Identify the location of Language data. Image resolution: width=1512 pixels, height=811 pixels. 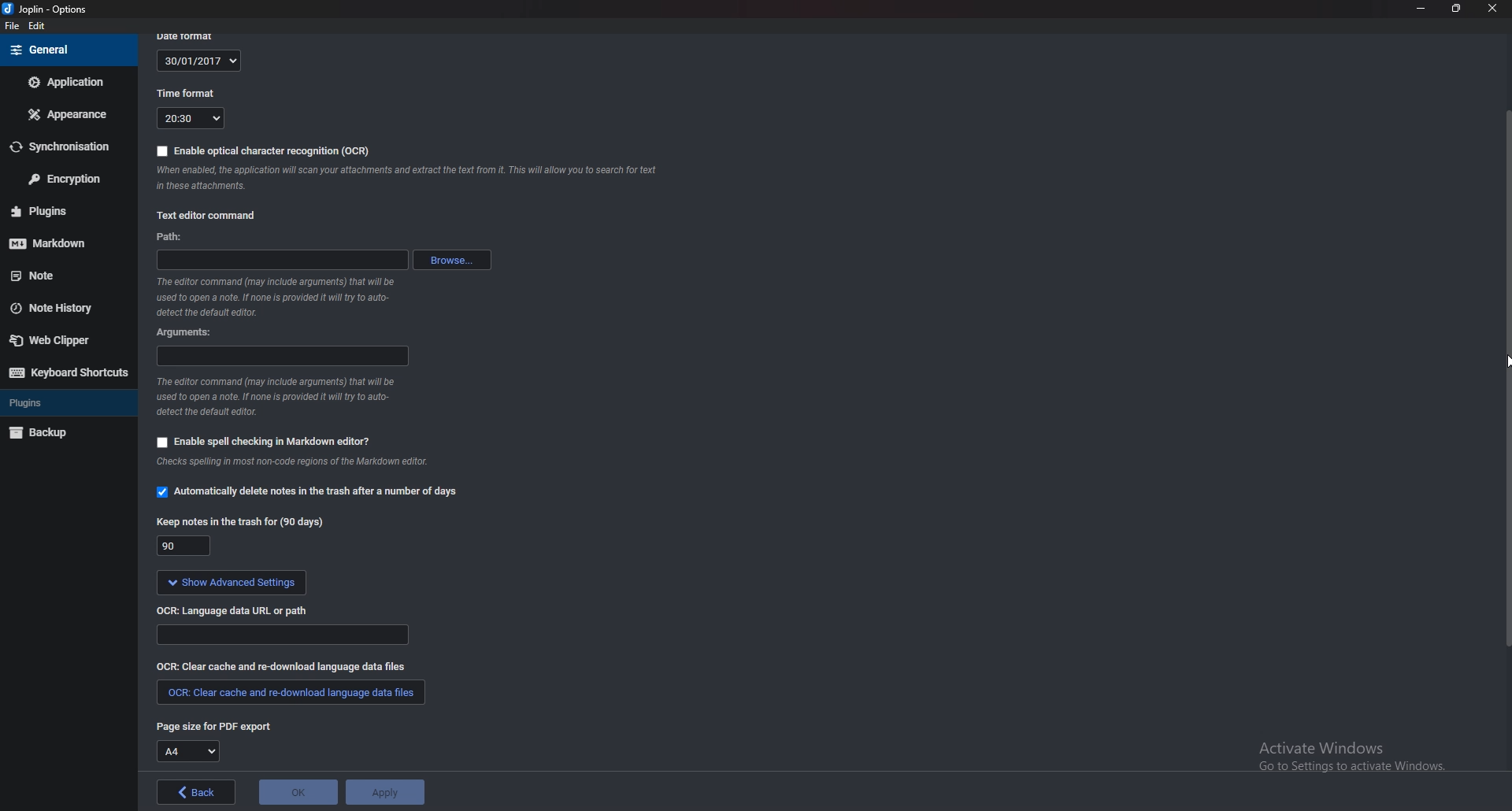
(280, 635).